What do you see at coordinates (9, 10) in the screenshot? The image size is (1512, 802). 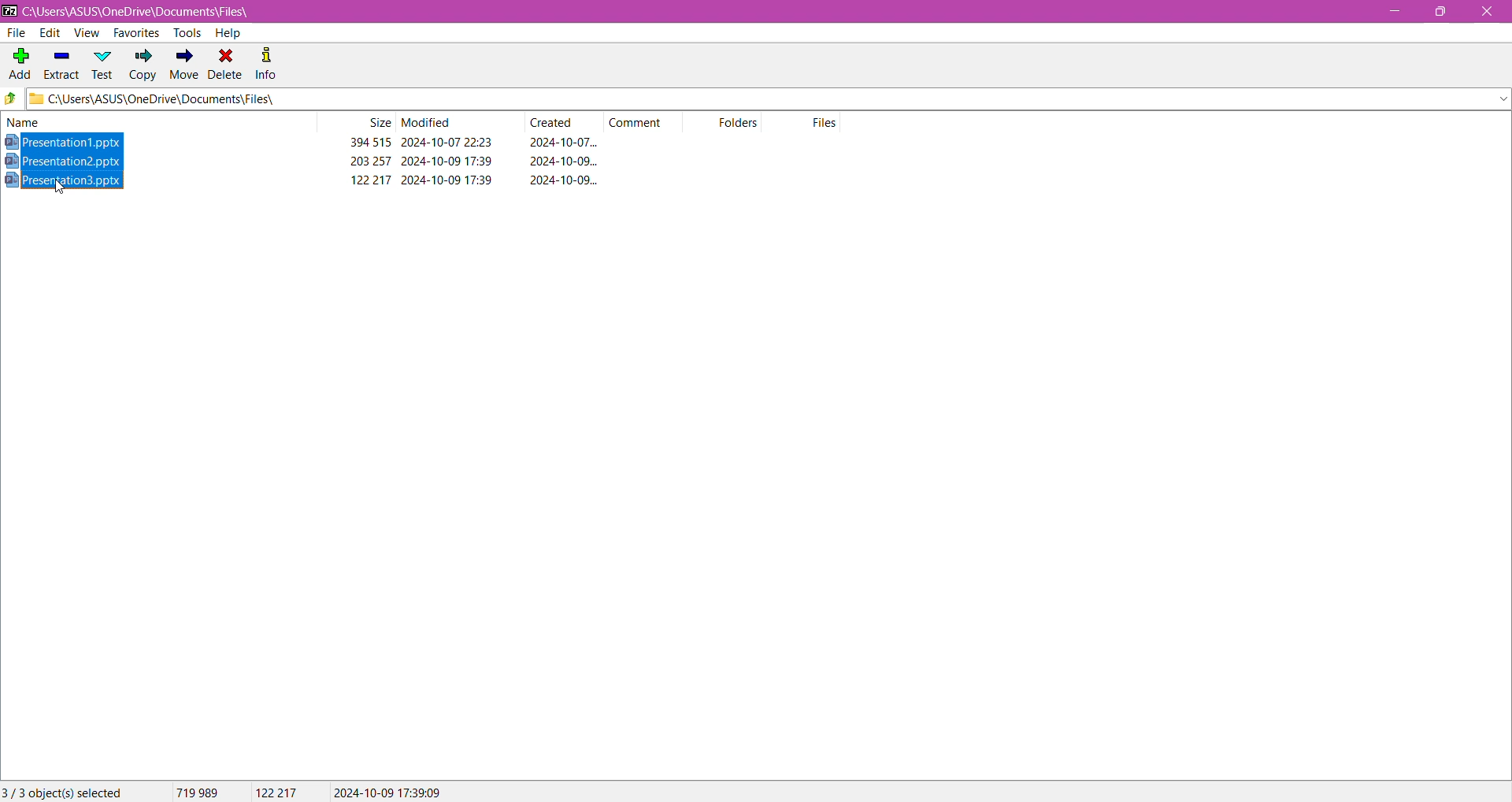 I see `Application Logo` at bounding box center [9, 10].